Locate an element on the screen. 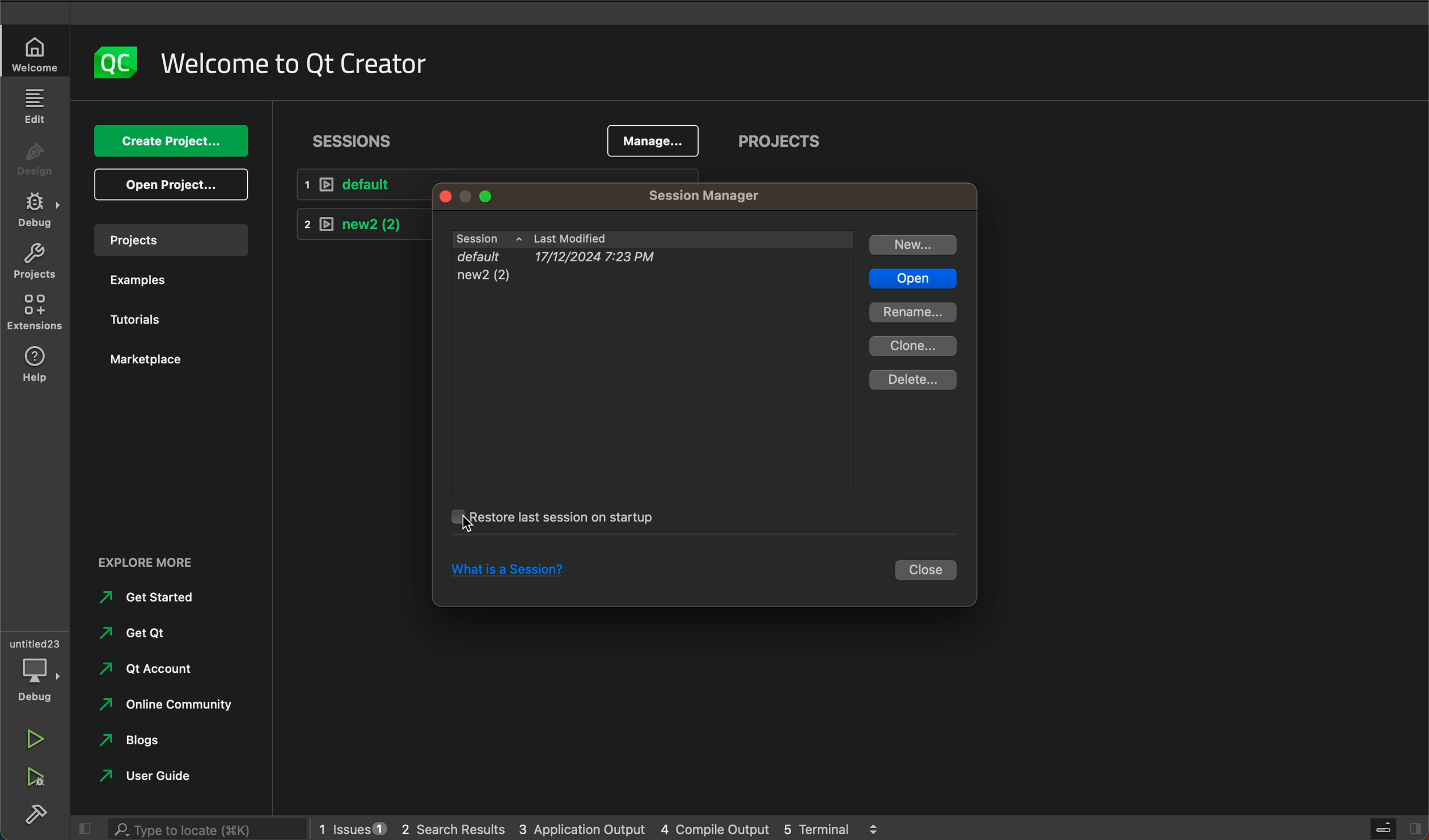 The width and height of the screenshot is (1429, 840). edit is located at coordinates (38, 108).